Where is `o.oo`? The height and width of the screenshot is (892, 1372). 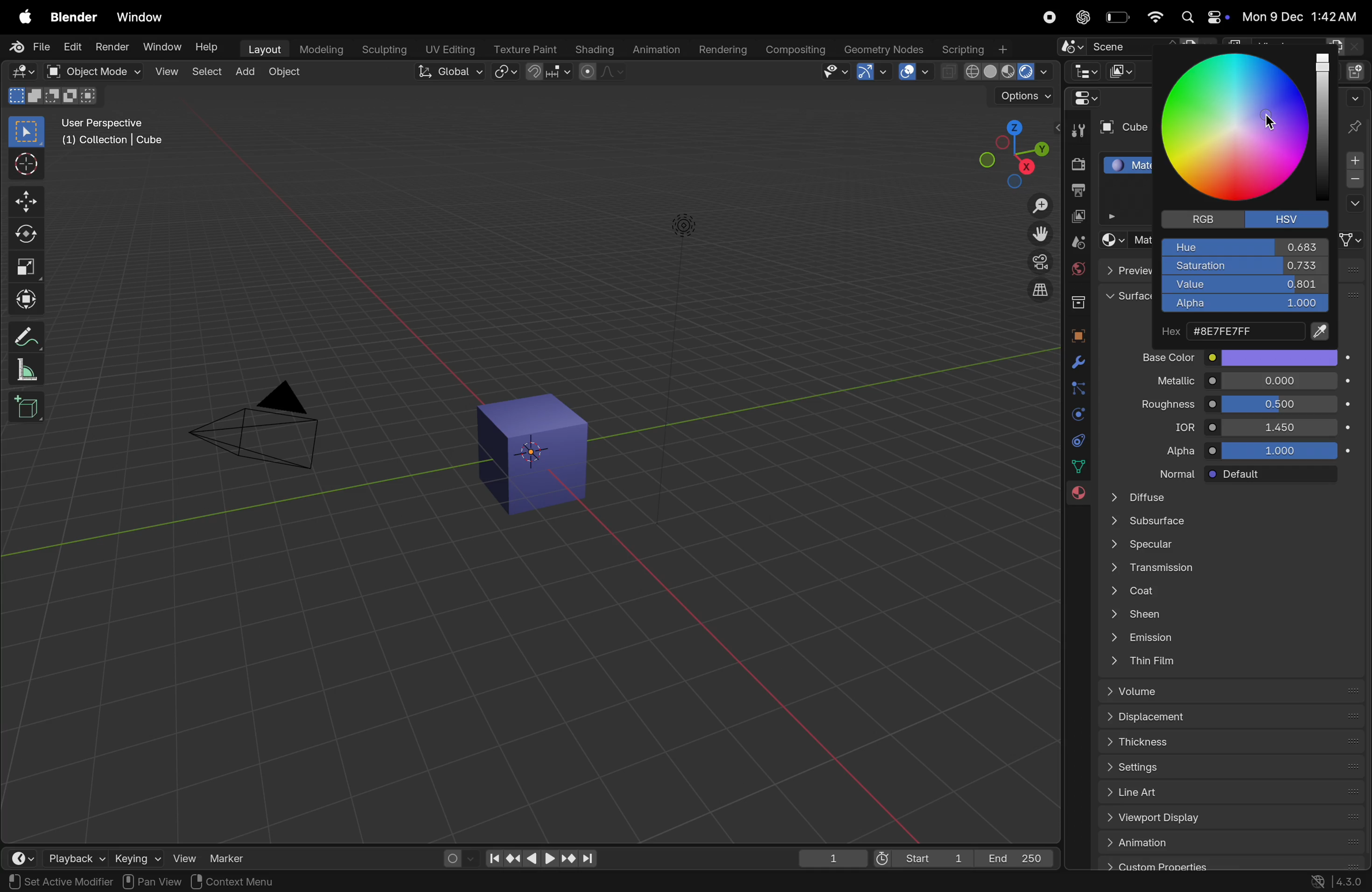 o.oo is located at coordinates (1280, 381).